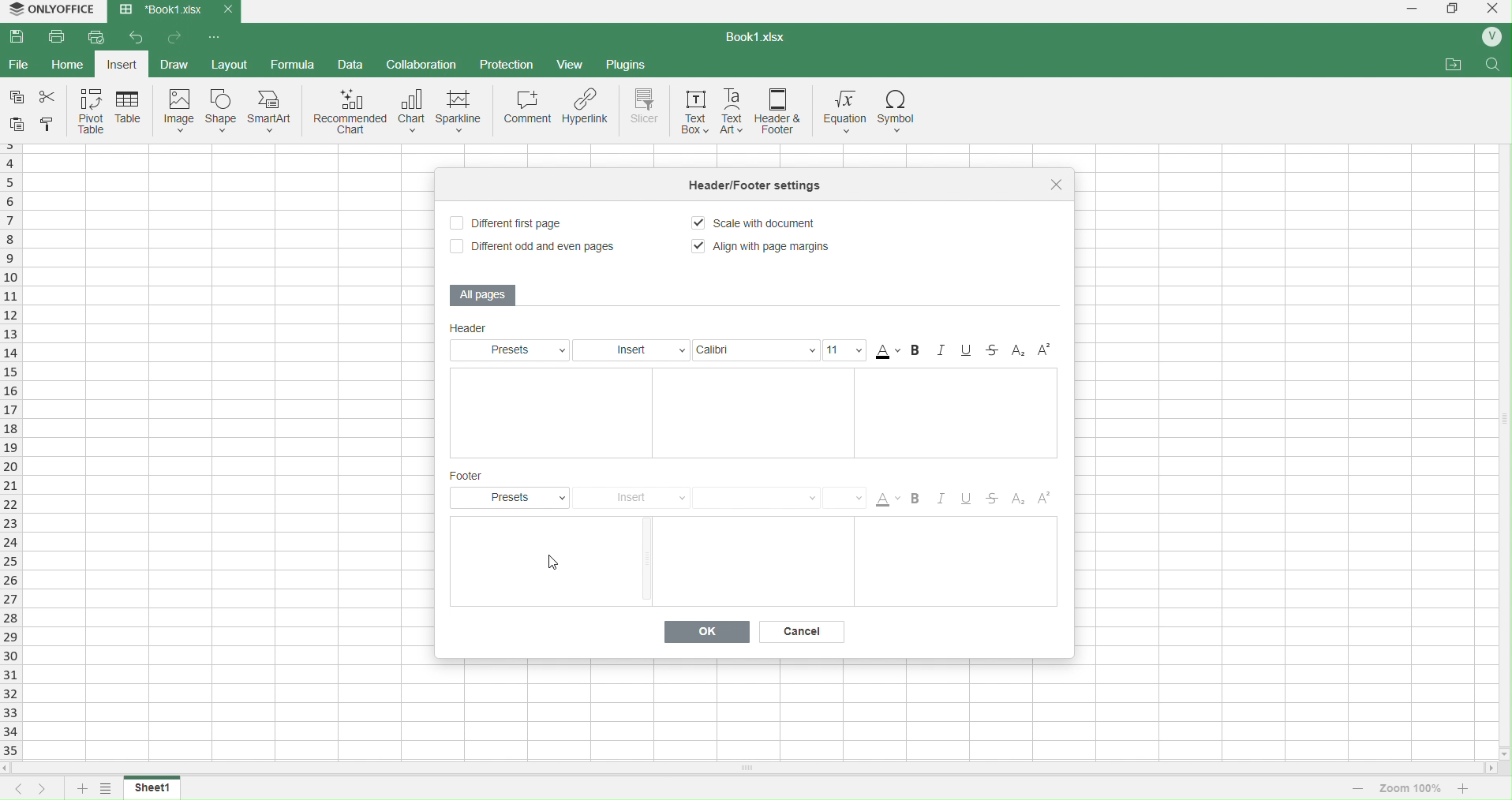 This screenshot has width=1512, height=800. I want to click on Presets, so click(515, 497).